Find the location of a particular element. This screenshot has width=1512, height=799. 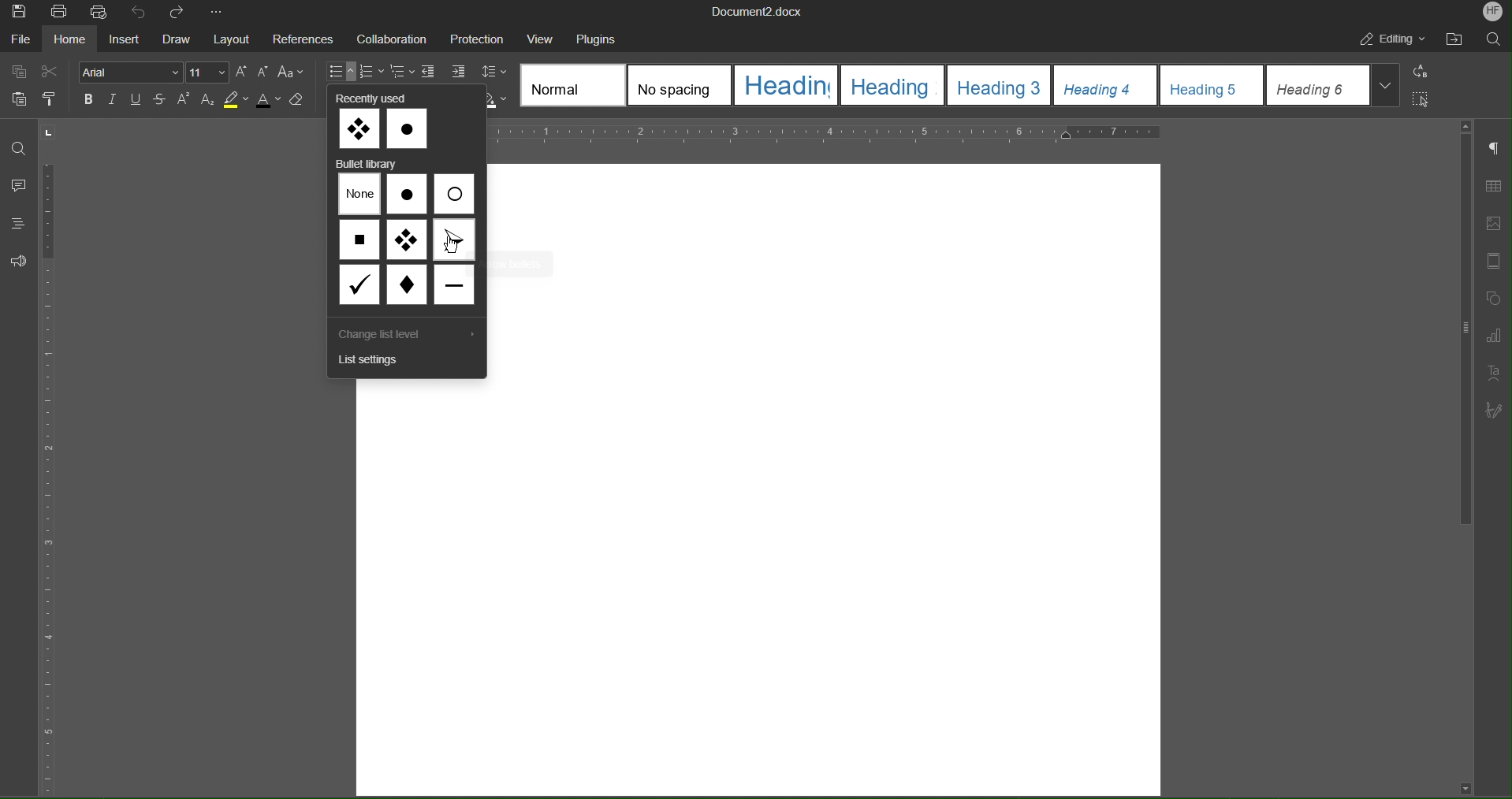

Diamond is located at coordinates (405, 285).